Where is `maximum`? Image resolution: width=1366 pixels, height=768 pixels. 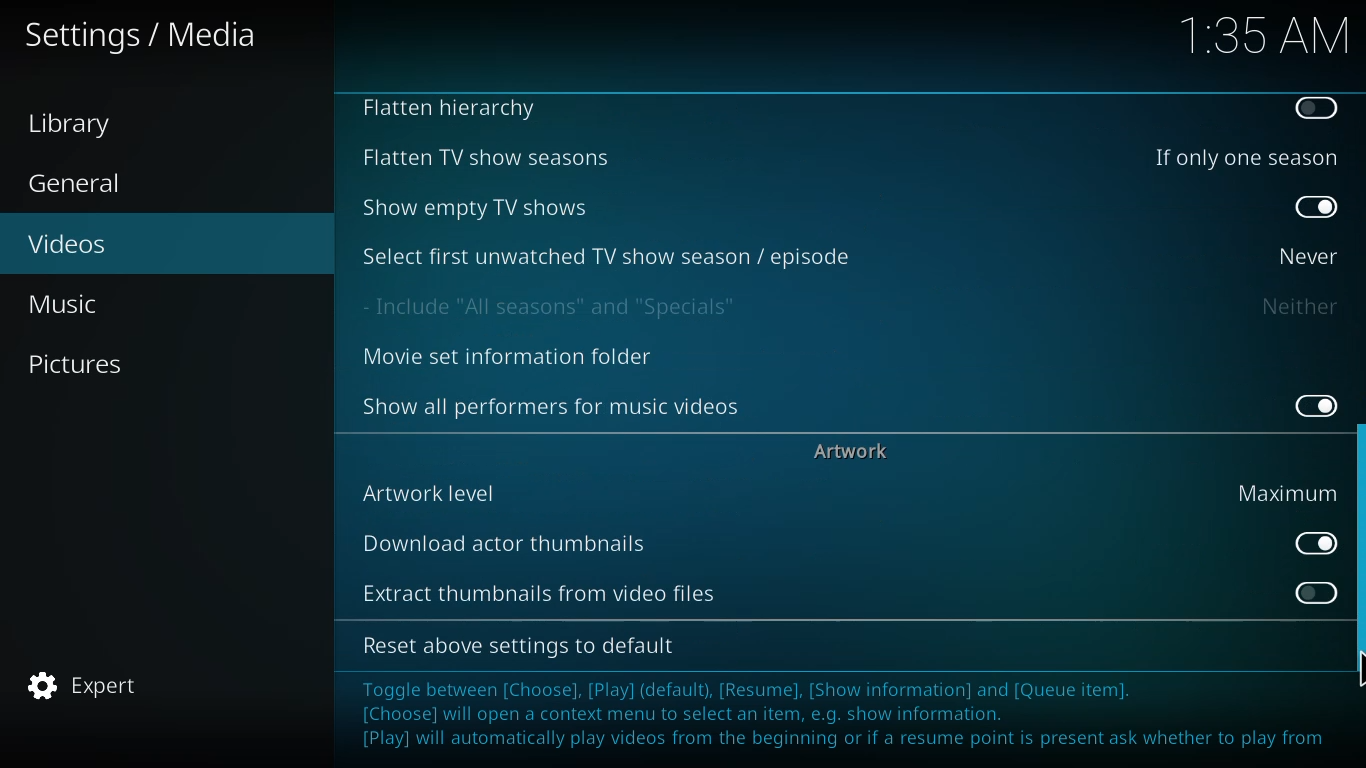 maximum is located at coordinates (1283, 492).